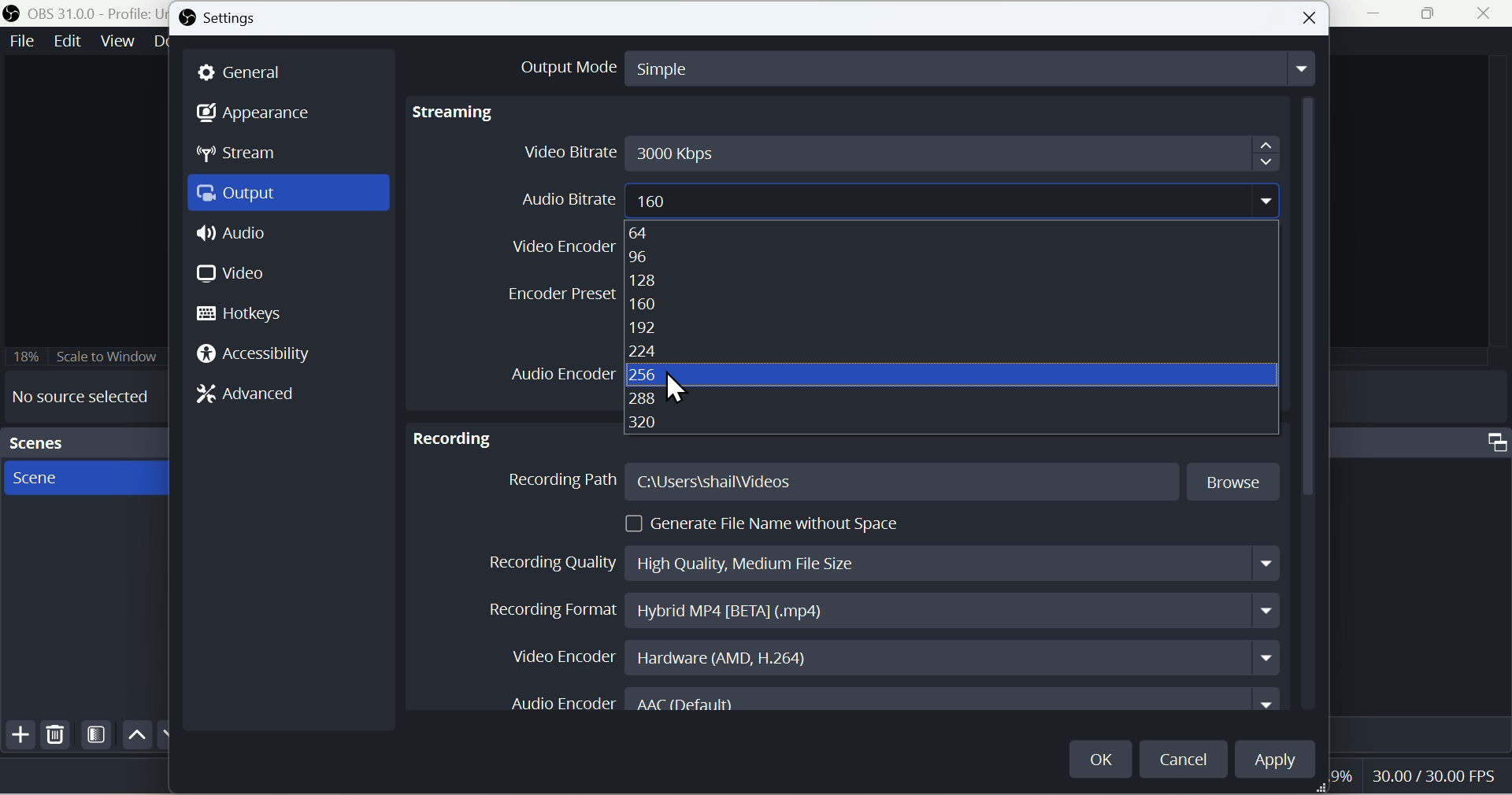 This screenshot has height=795, width=1512. Describe the element at coordinates (879, 559) in the screenshot. I see `Recording Quality` at that location.